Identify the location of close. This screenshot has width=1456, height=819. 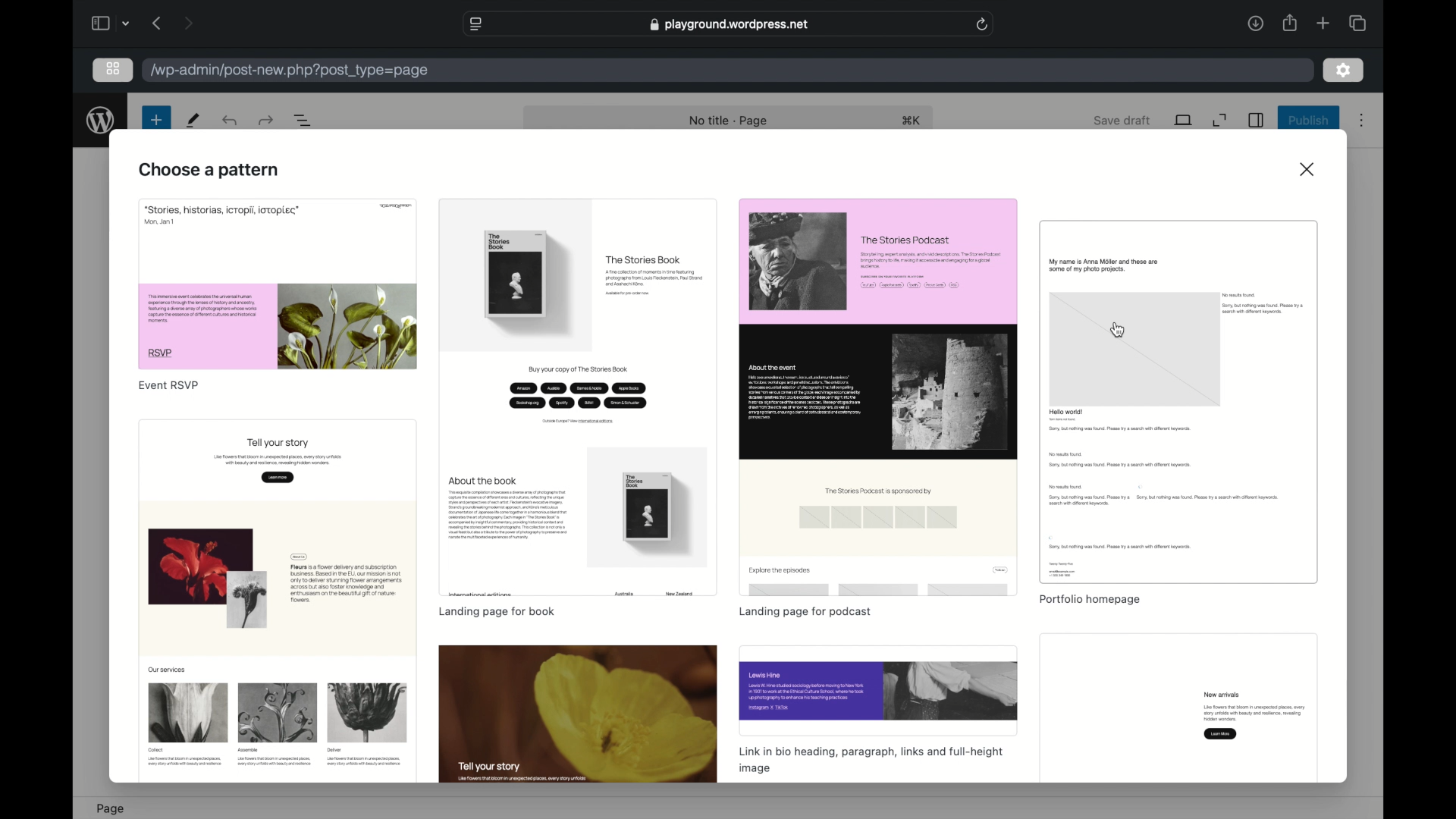
(1309, 169).